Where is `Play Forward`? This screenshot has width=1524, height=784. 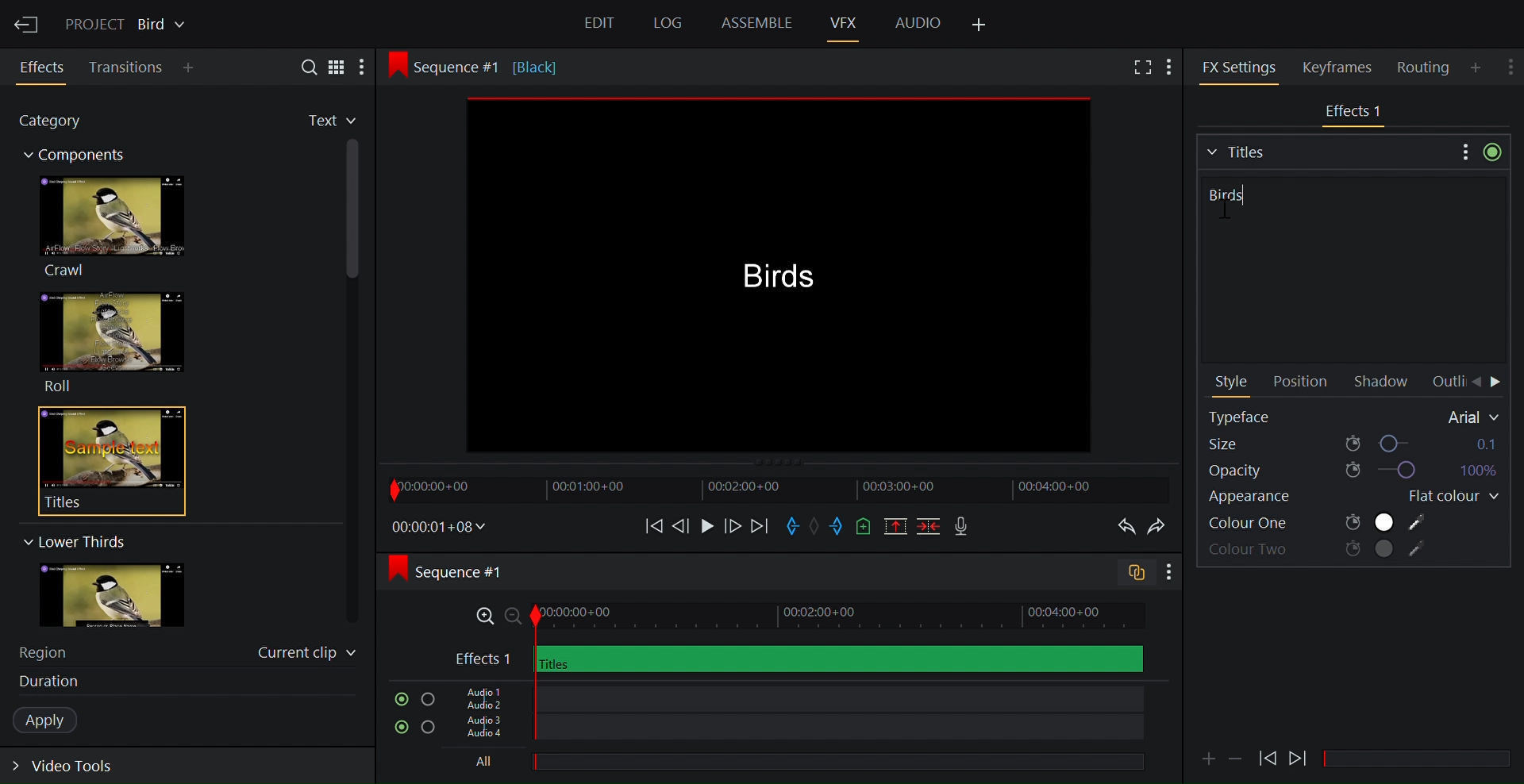 Play Forward is located at coordinates (1268, 758).